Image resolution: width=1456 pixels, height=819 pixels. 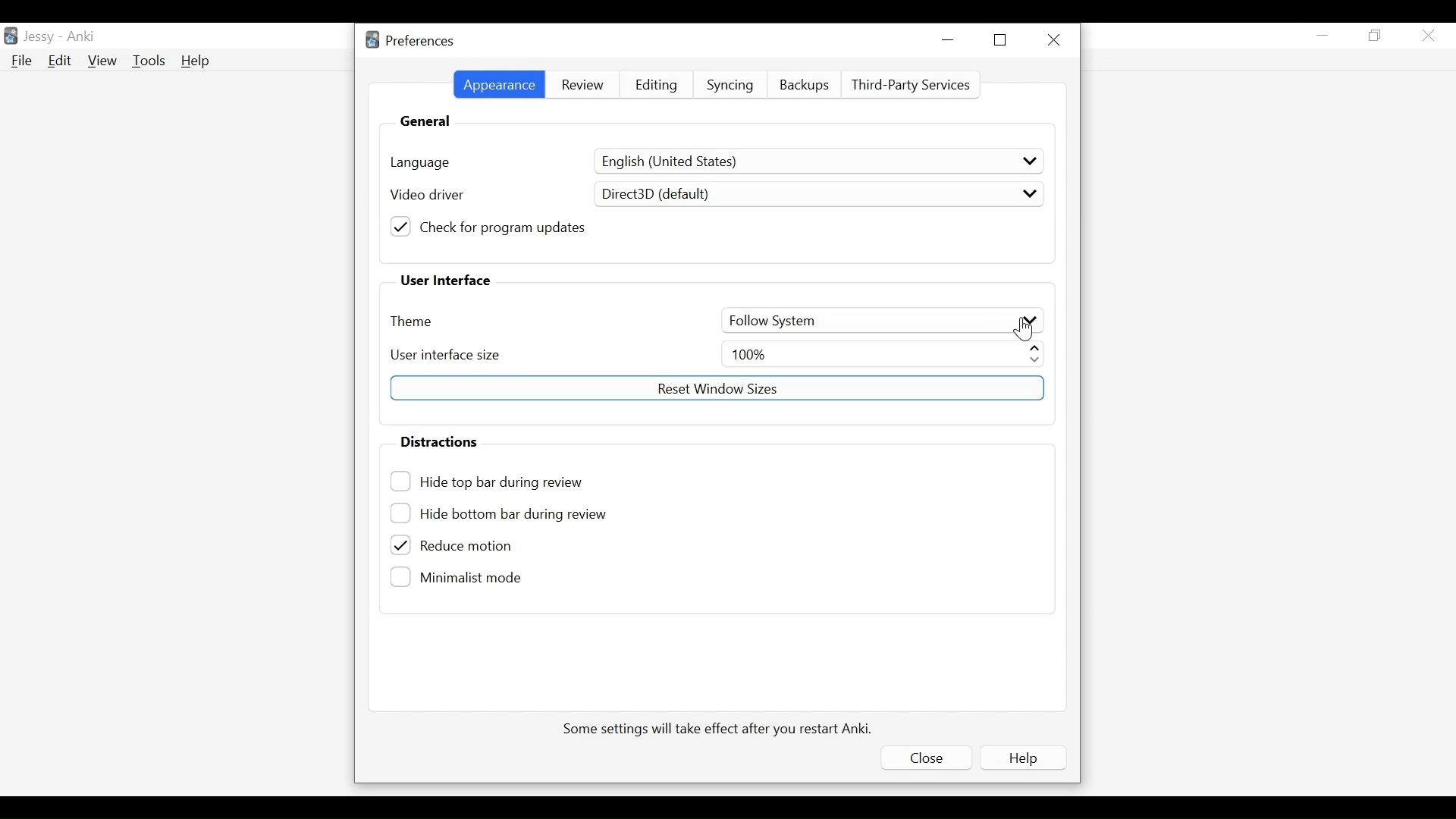 What do you see at coordinates (149, 60) in the screenshot?
I see `Tools` at bounding box center [149, 60].